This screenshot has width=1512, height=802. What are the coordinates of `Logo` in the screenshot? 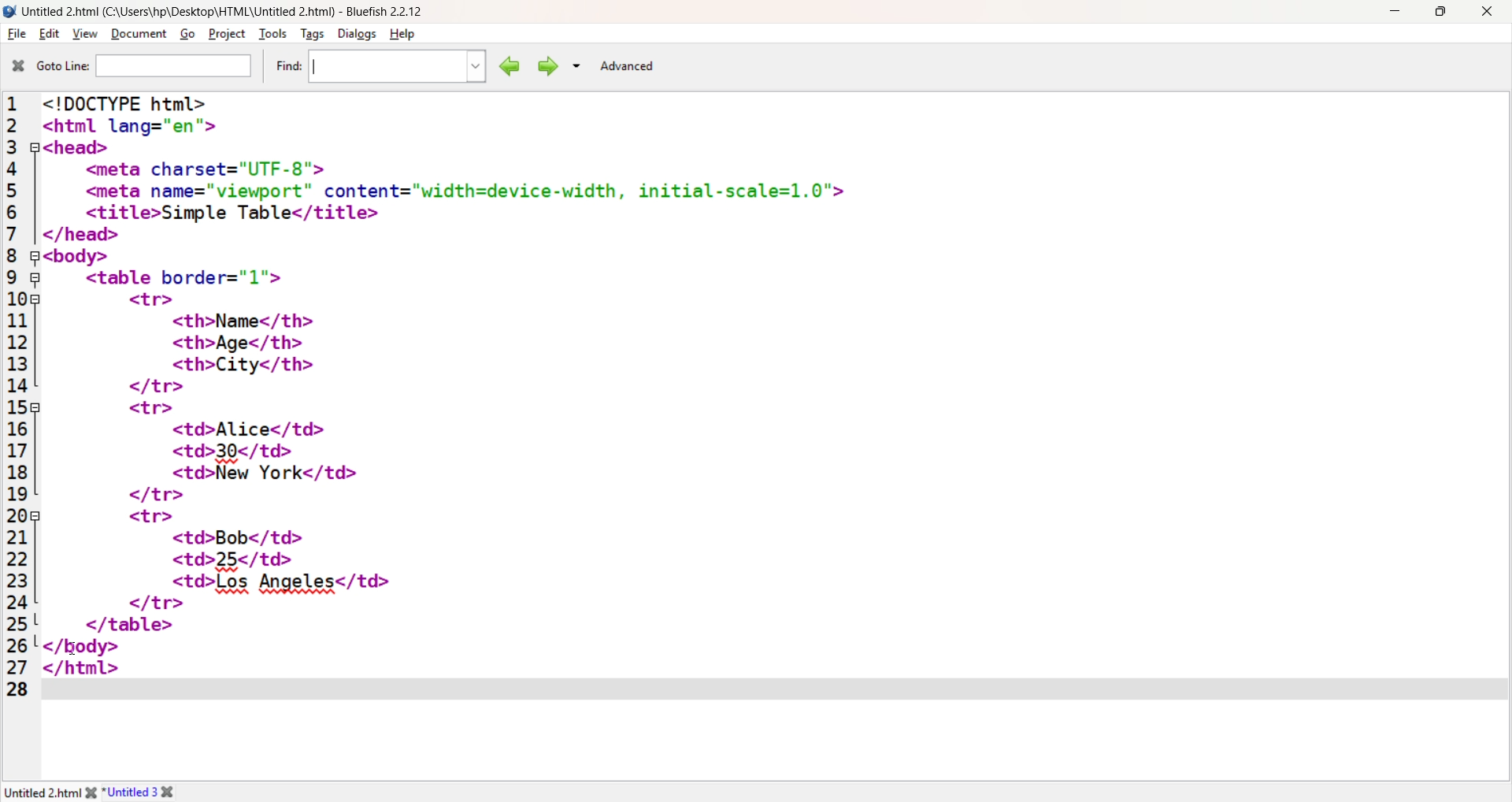 It's located at (10, 12).